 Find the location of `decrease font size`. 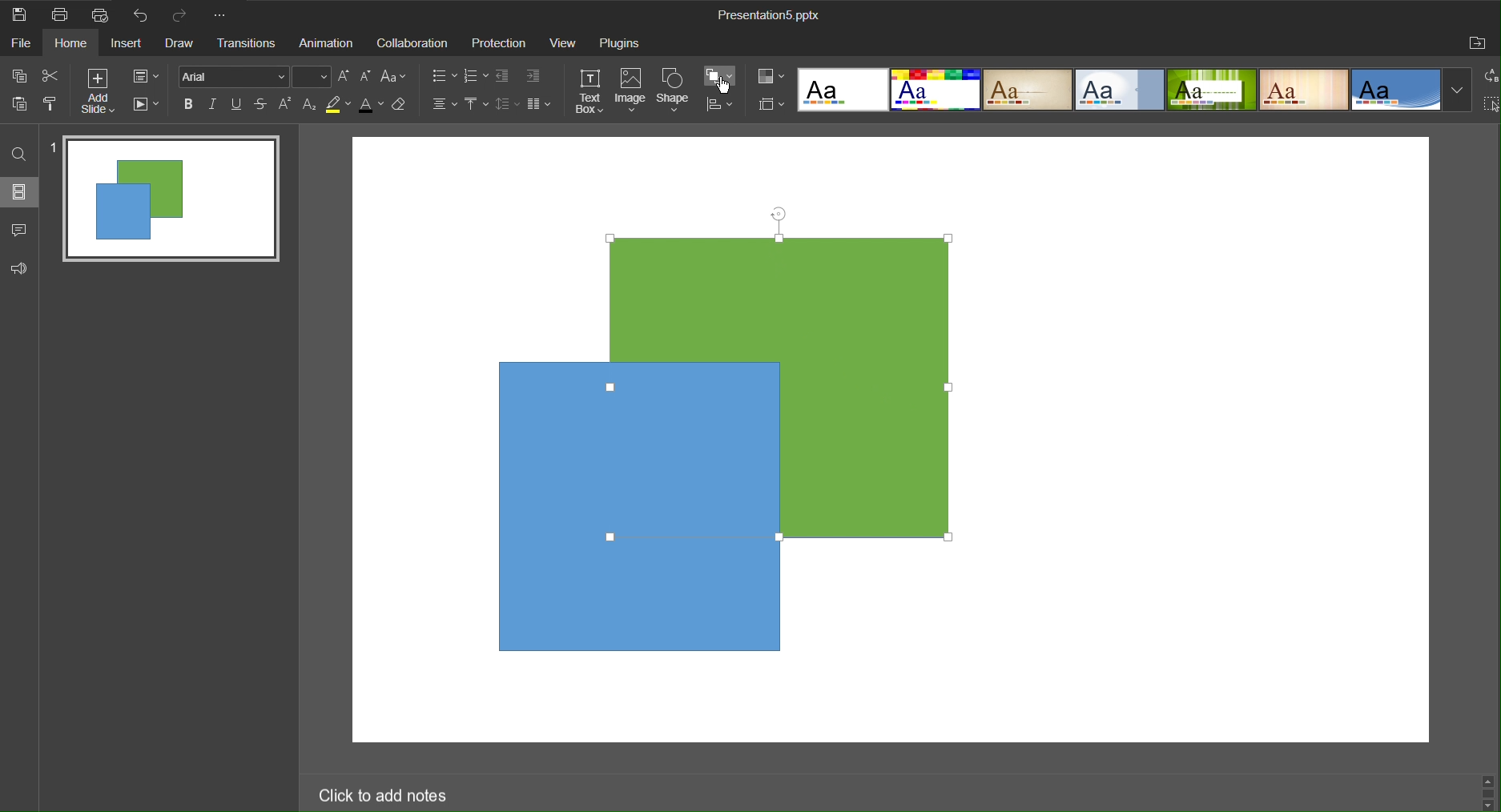

decrease font size is located at coordinates (365, 77).